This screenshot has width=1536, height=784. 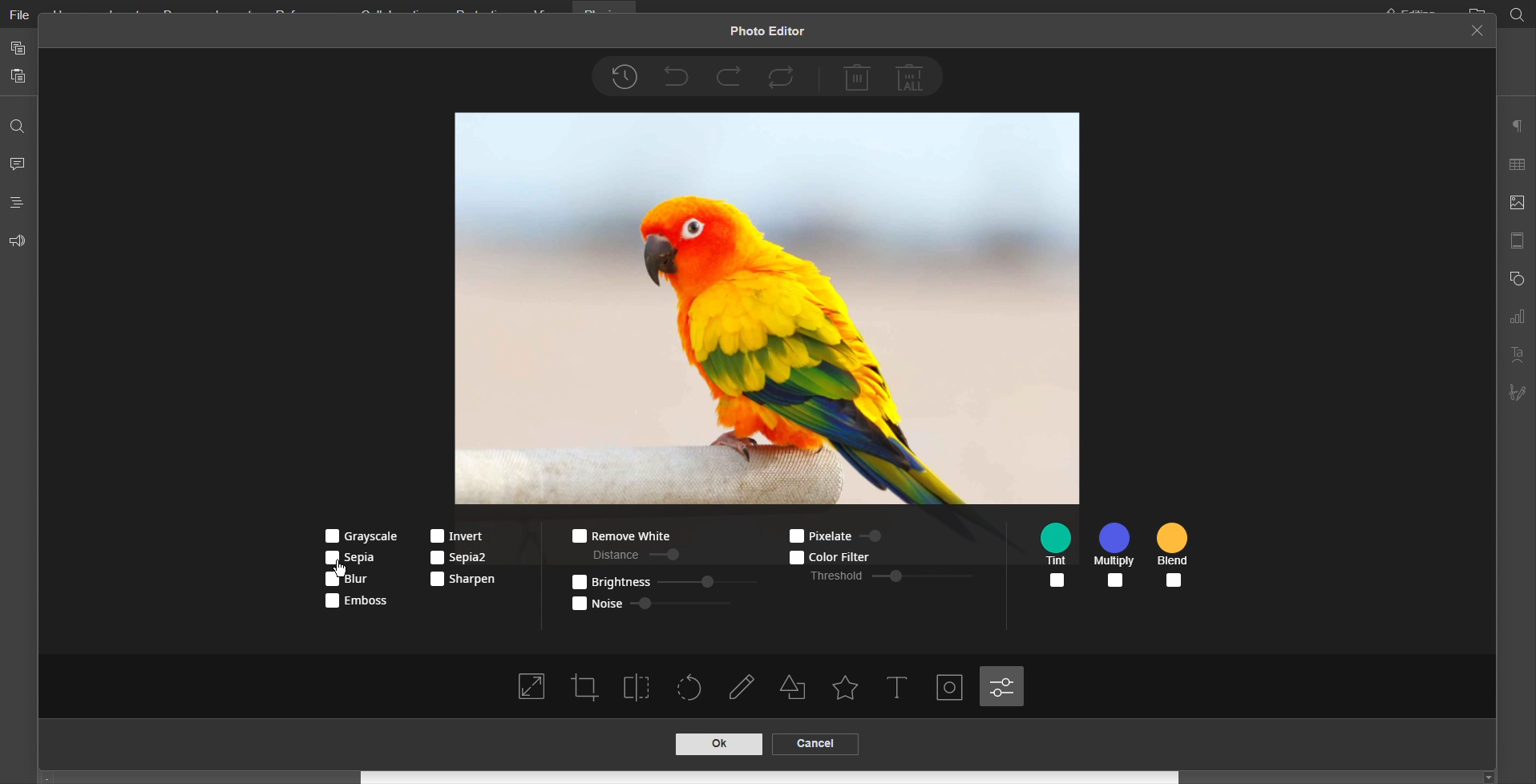 I want to click on Delete All, so click(x=913, y=76).